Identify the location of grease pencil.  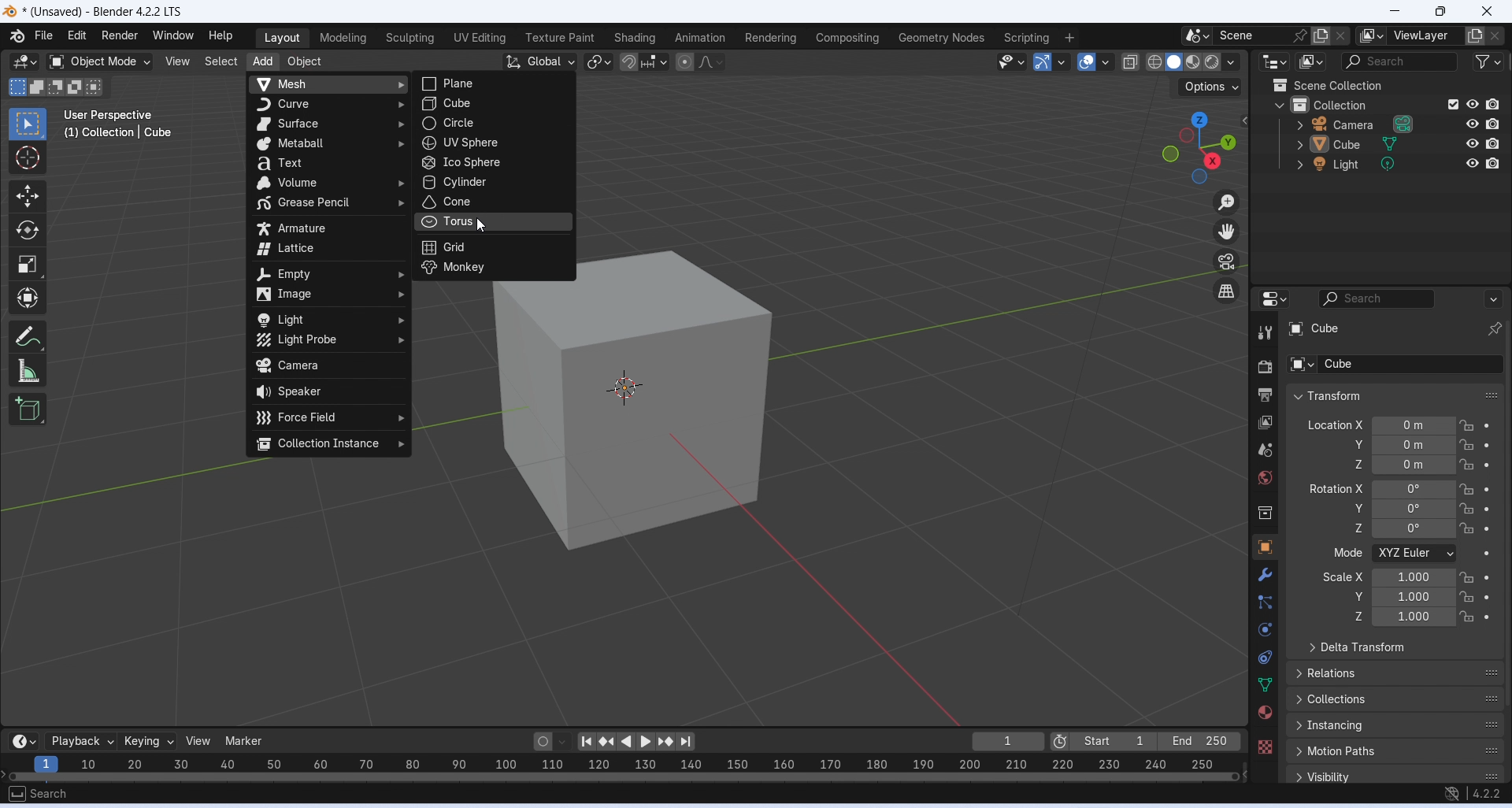
(329, 203).